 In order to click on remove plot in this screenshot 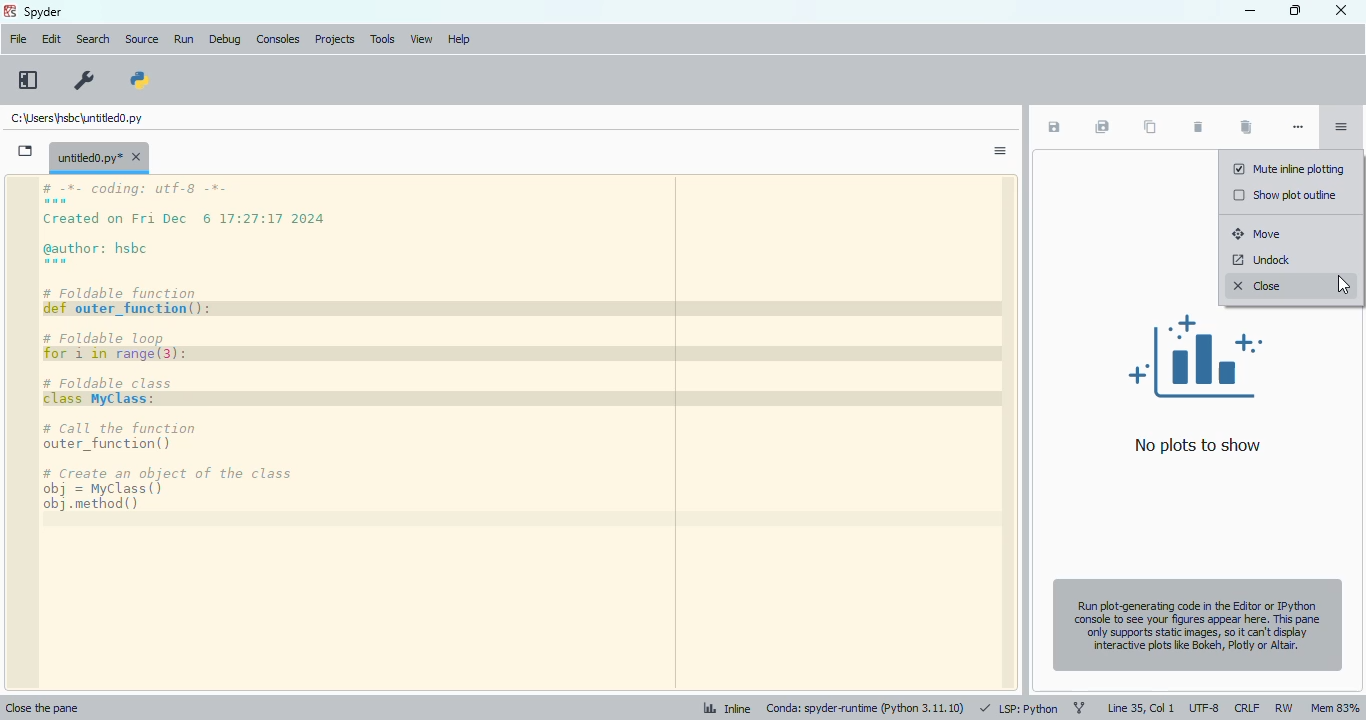, I will do `click(1197, 128)`.